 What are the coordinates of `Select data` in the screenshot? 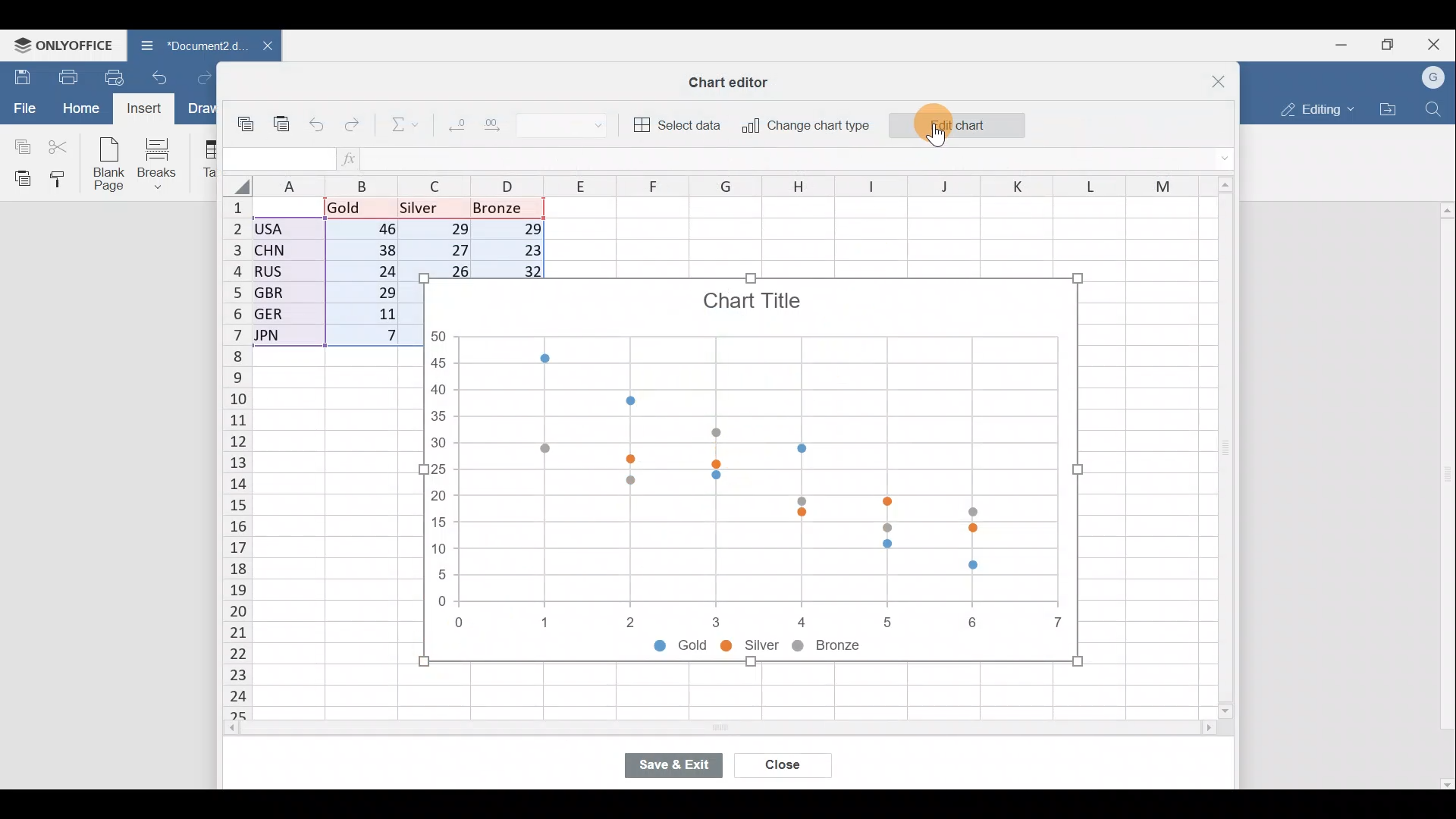 It's located at (679, 125).